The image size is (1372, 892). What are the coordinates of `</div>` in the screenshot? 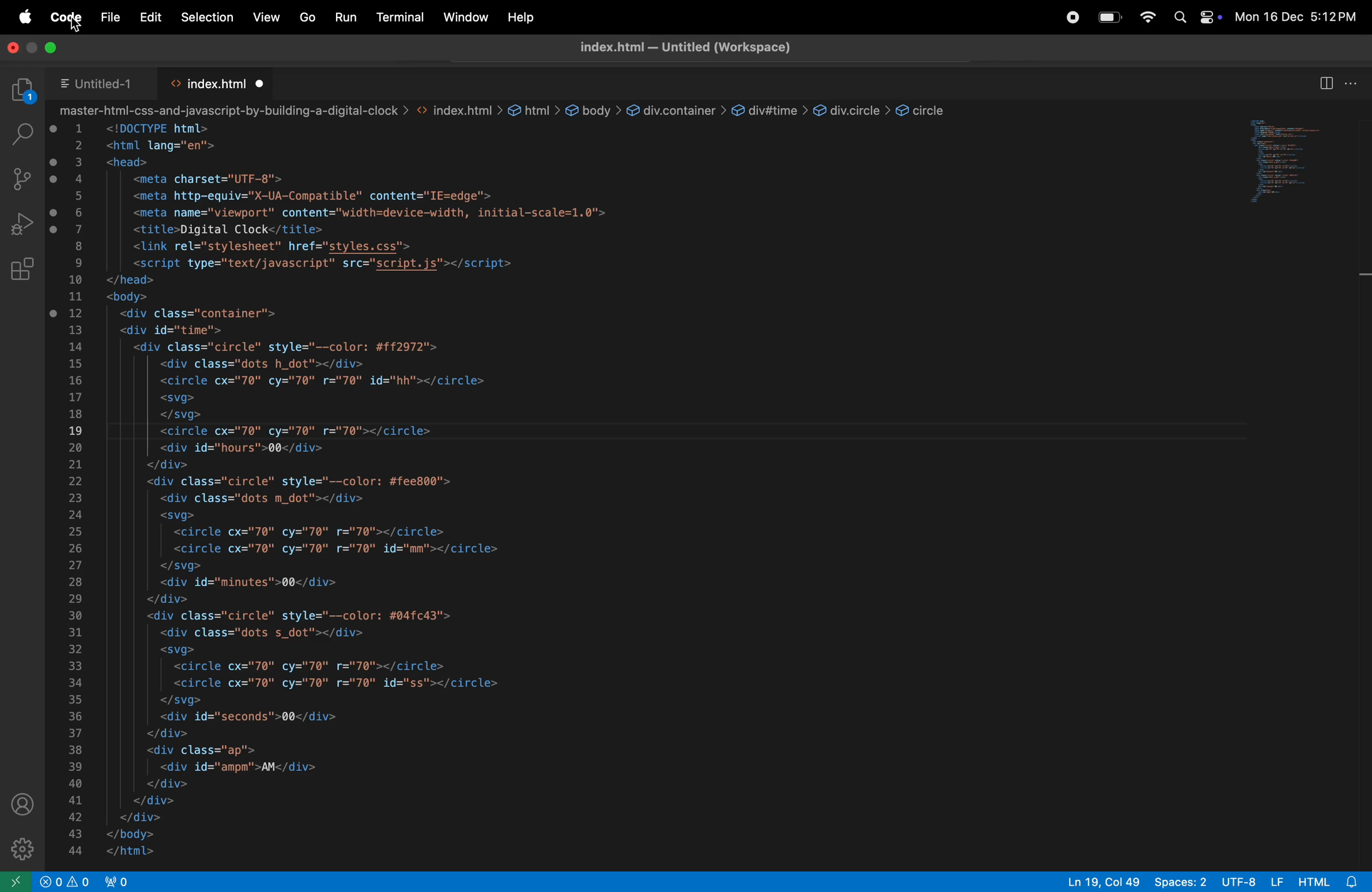 It's located at (171, 464).